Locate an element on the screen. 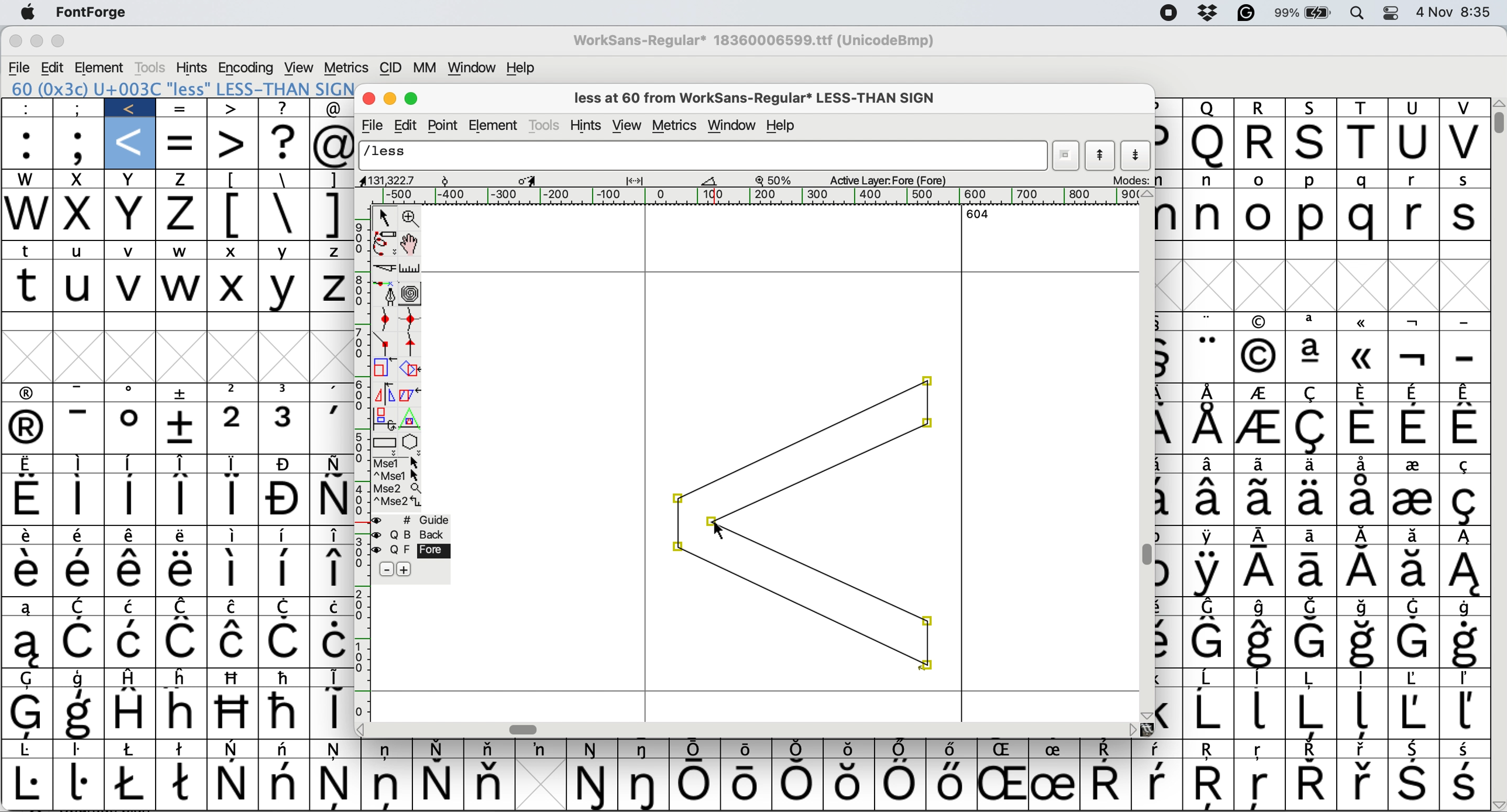 The height and width of the screenshot is (812, 1507). t is located at coordinates (1363, 143).